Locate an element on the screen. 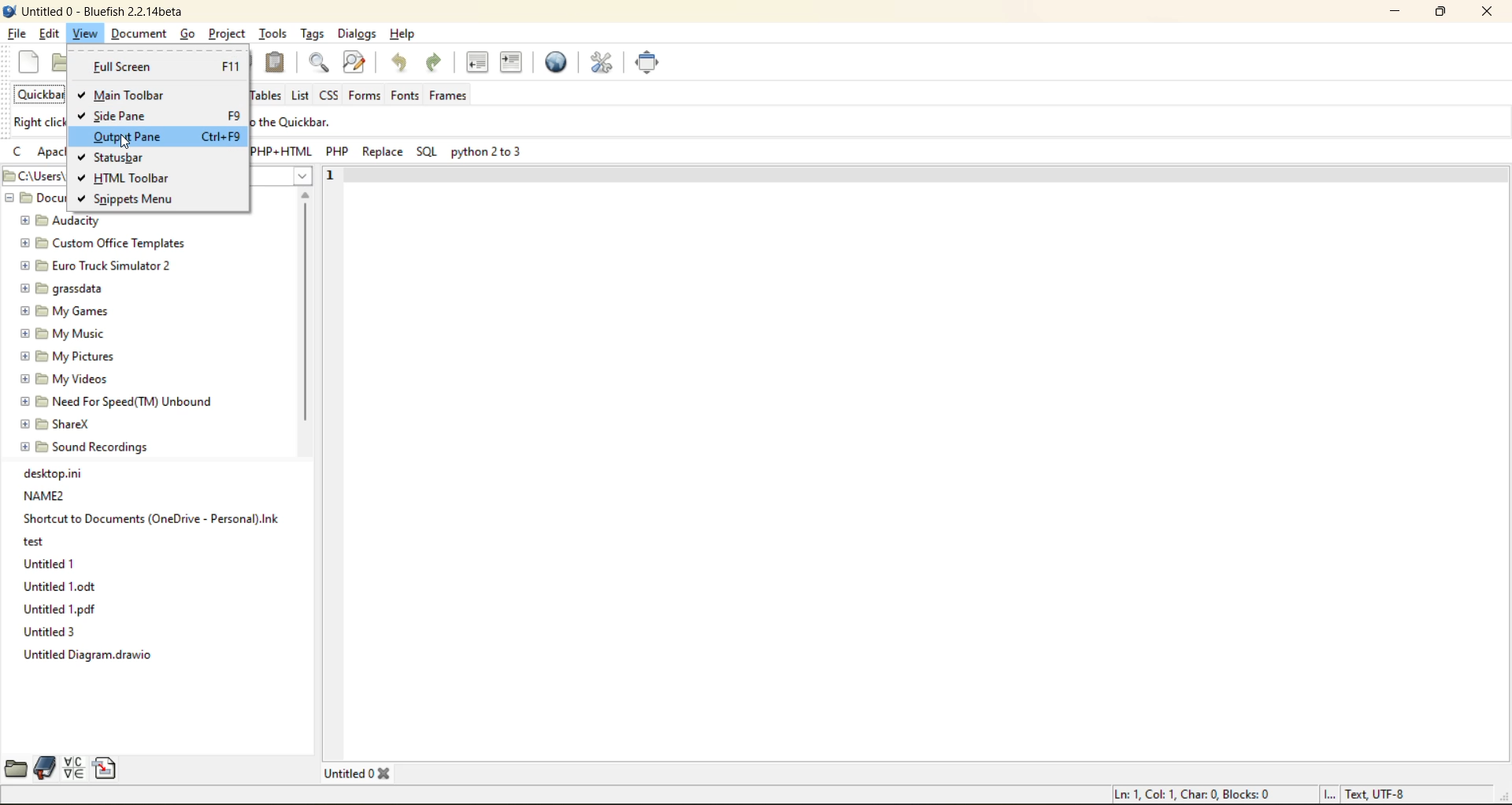  Shortcut to Documents (OneDrive - Personal).Ink is located at coordinates (157, 520).